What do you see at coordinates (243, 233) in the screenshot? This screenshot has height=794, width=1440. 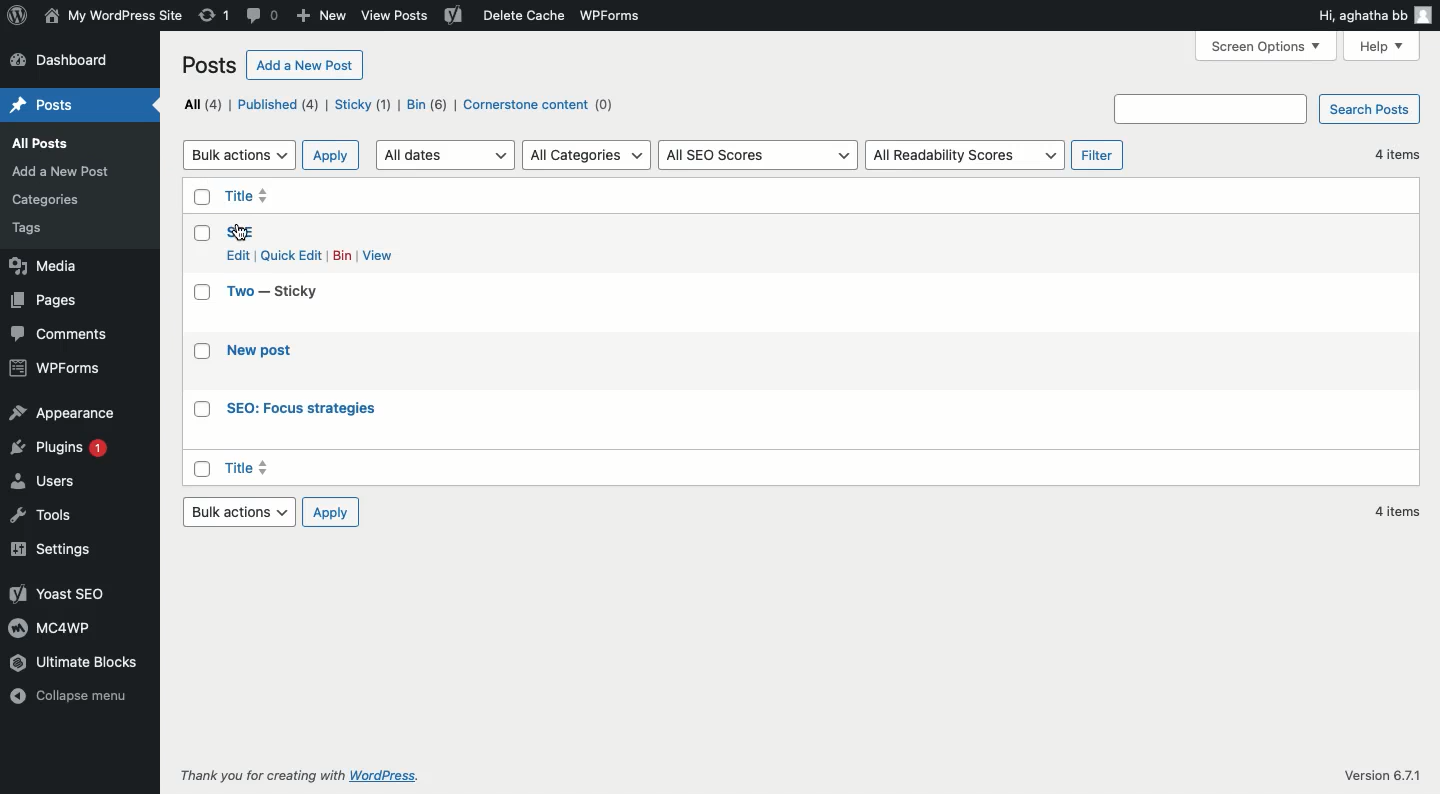 I see `cursor` at bounding box center [243, 233].